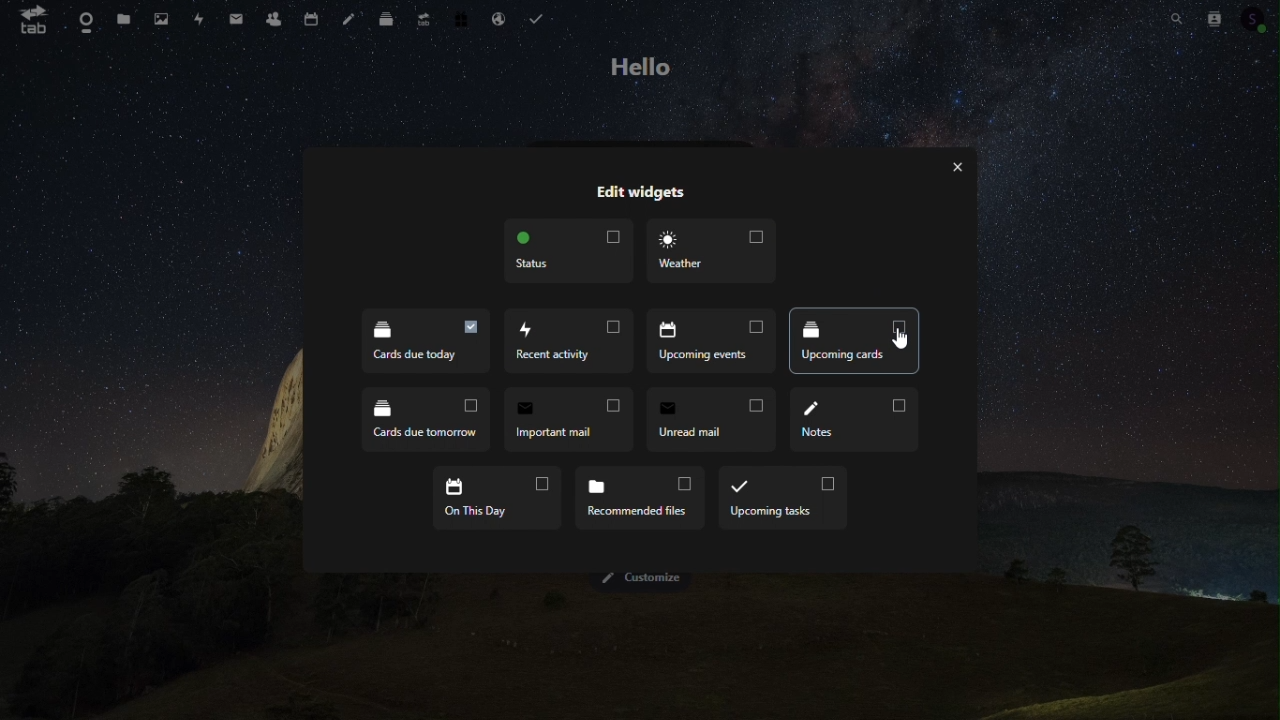  What do you see at coordinates (640, 581) in the screenshot?
I see `customize` at bounding box center [640, 581].